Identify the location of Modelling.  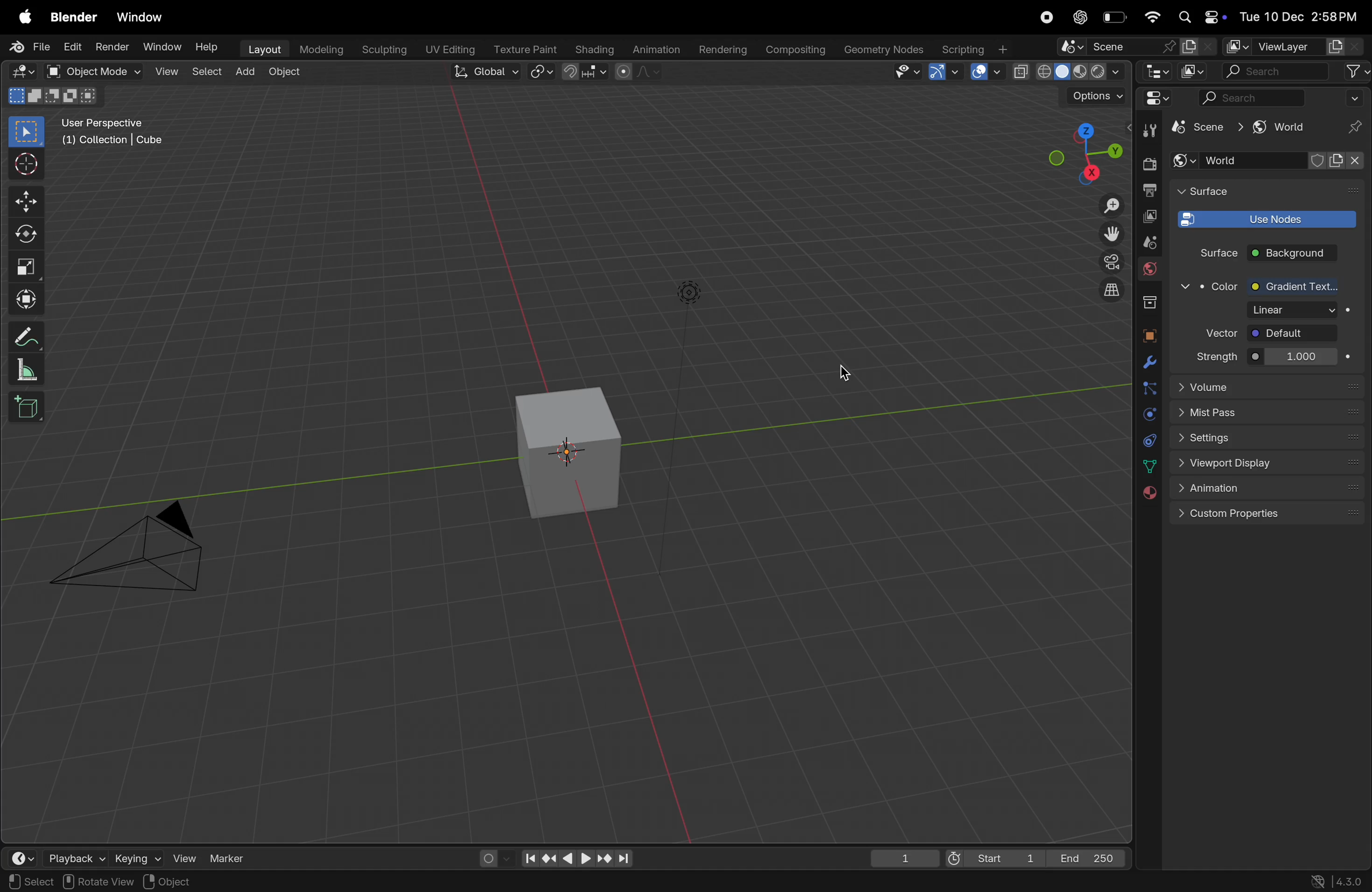
(322, 49).